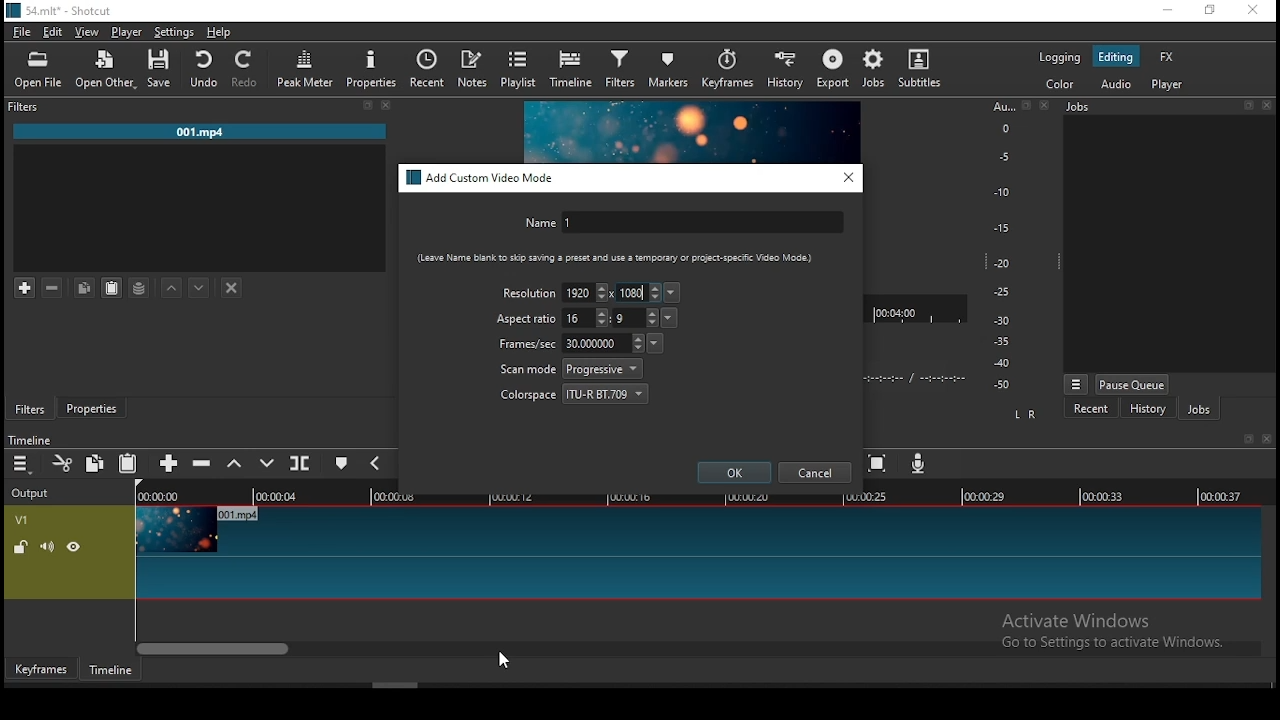  Describe the element at coordinates (1147, 411) in the screenshot. I see `history` at that location.